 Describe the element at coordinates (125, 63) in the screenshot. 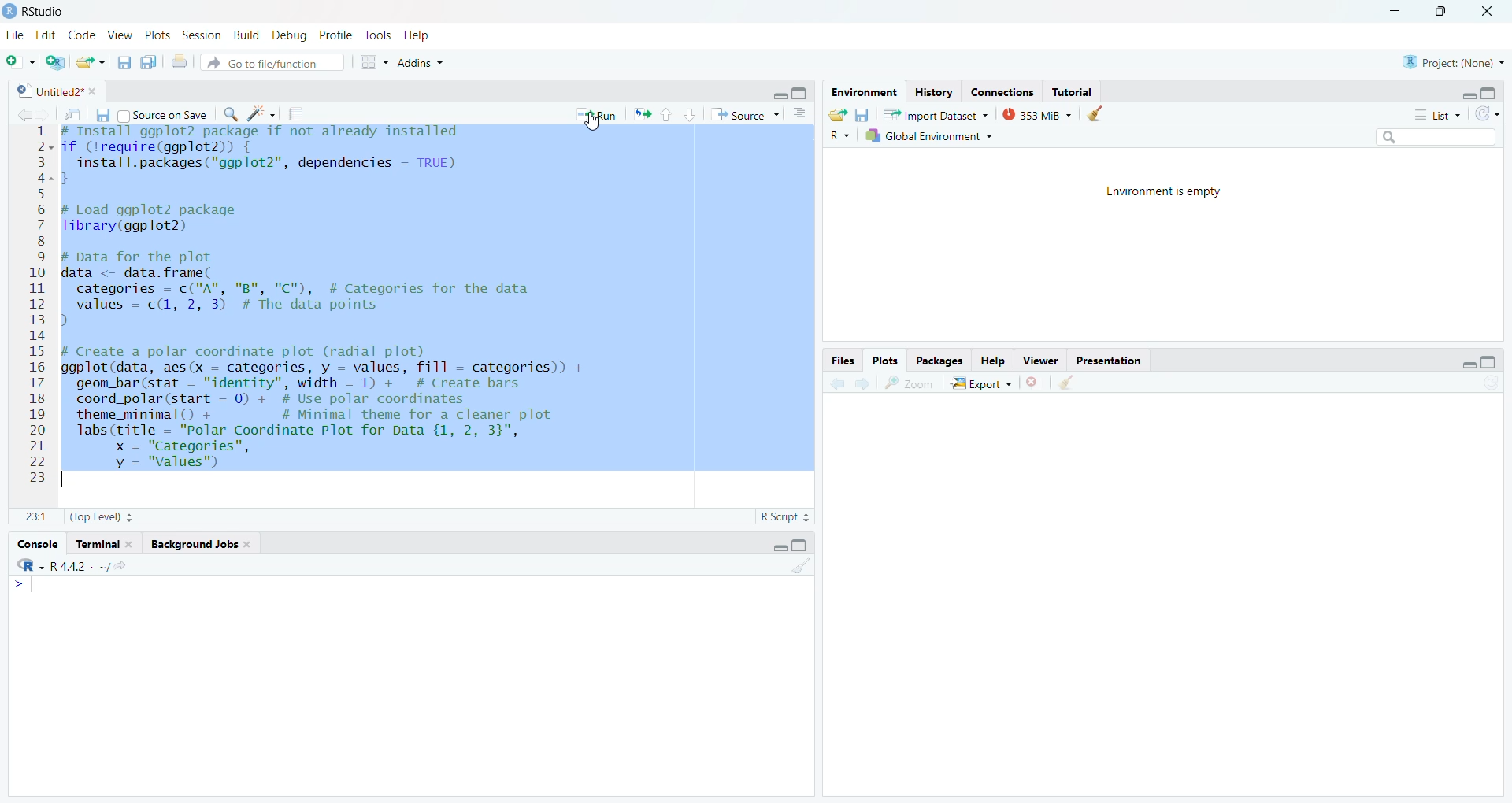

I see `save current file` at that location.